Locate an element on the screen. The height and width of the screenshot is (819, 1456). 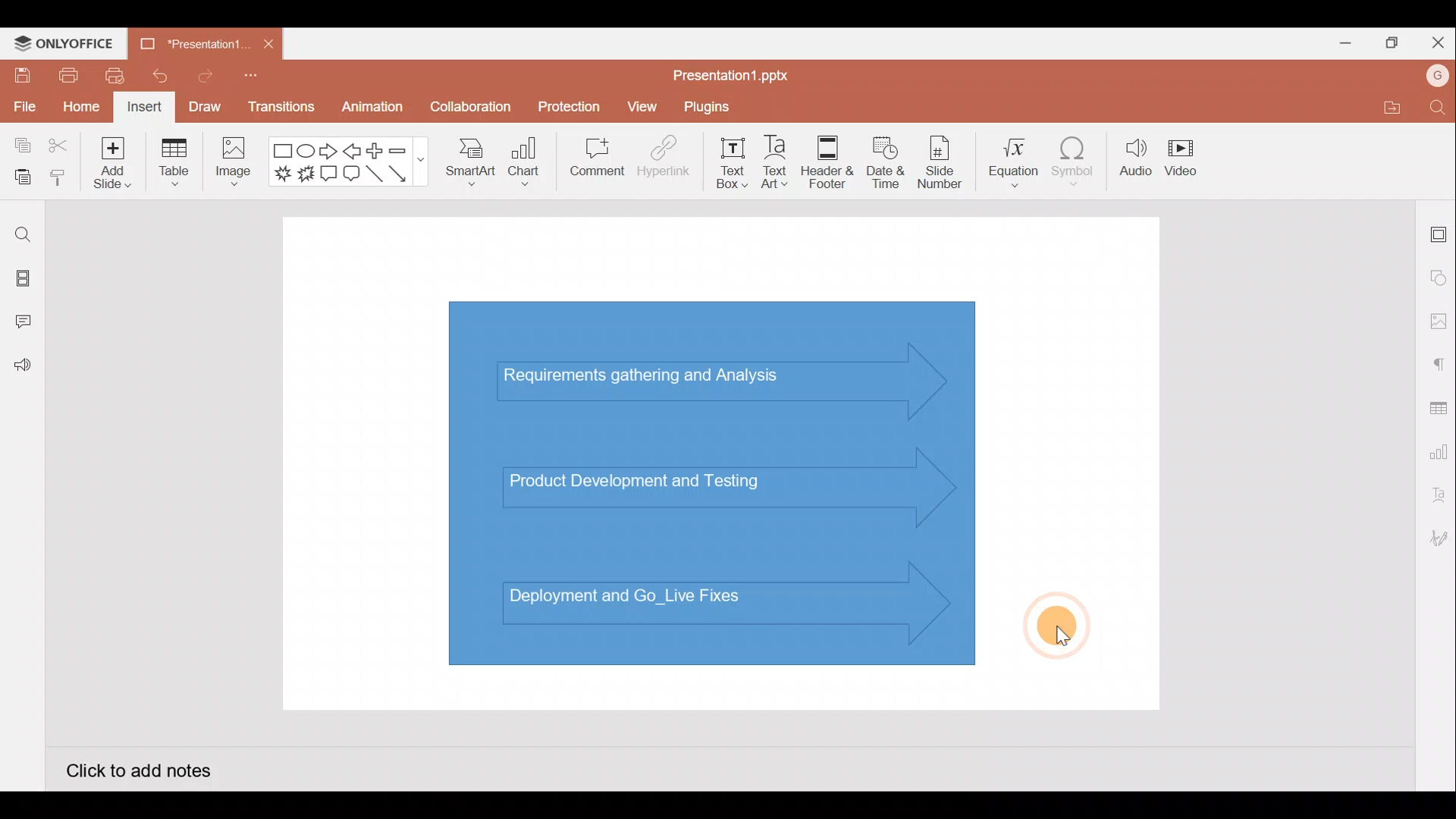
View is located at coordinates (645, 103).